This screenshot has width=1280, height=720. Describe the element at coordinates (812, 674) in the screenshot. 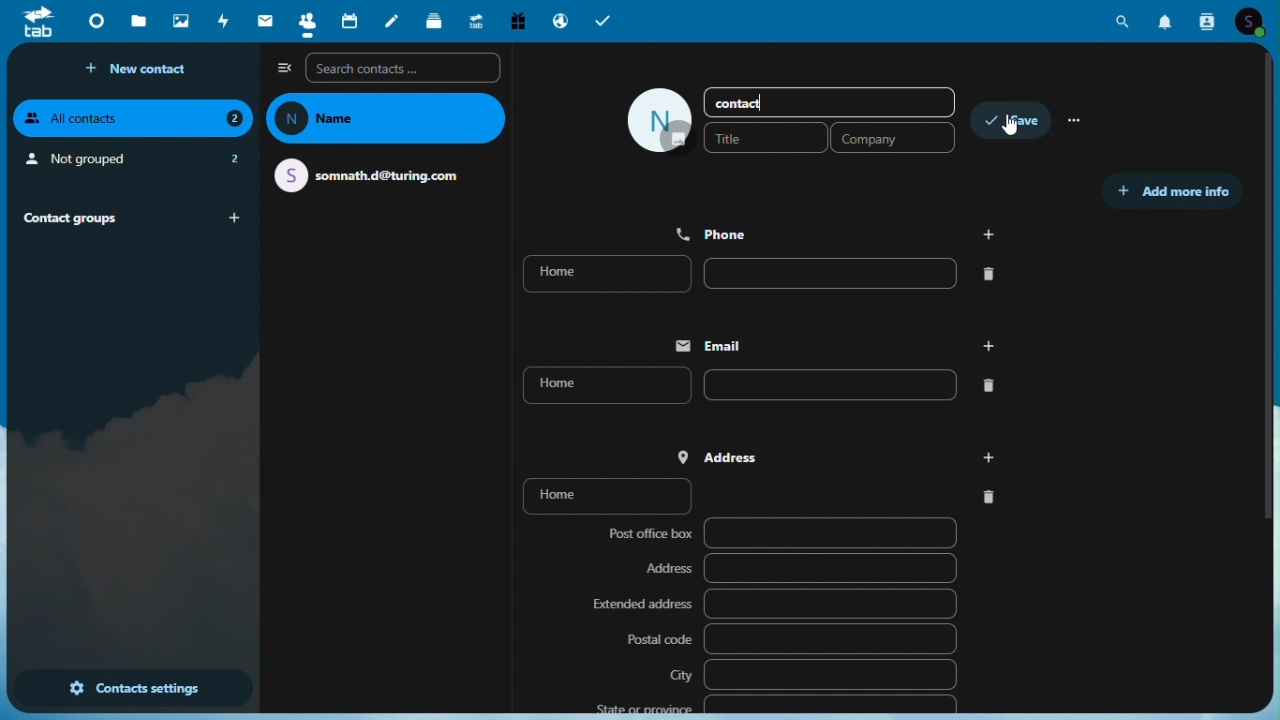

I see `City` at that location.